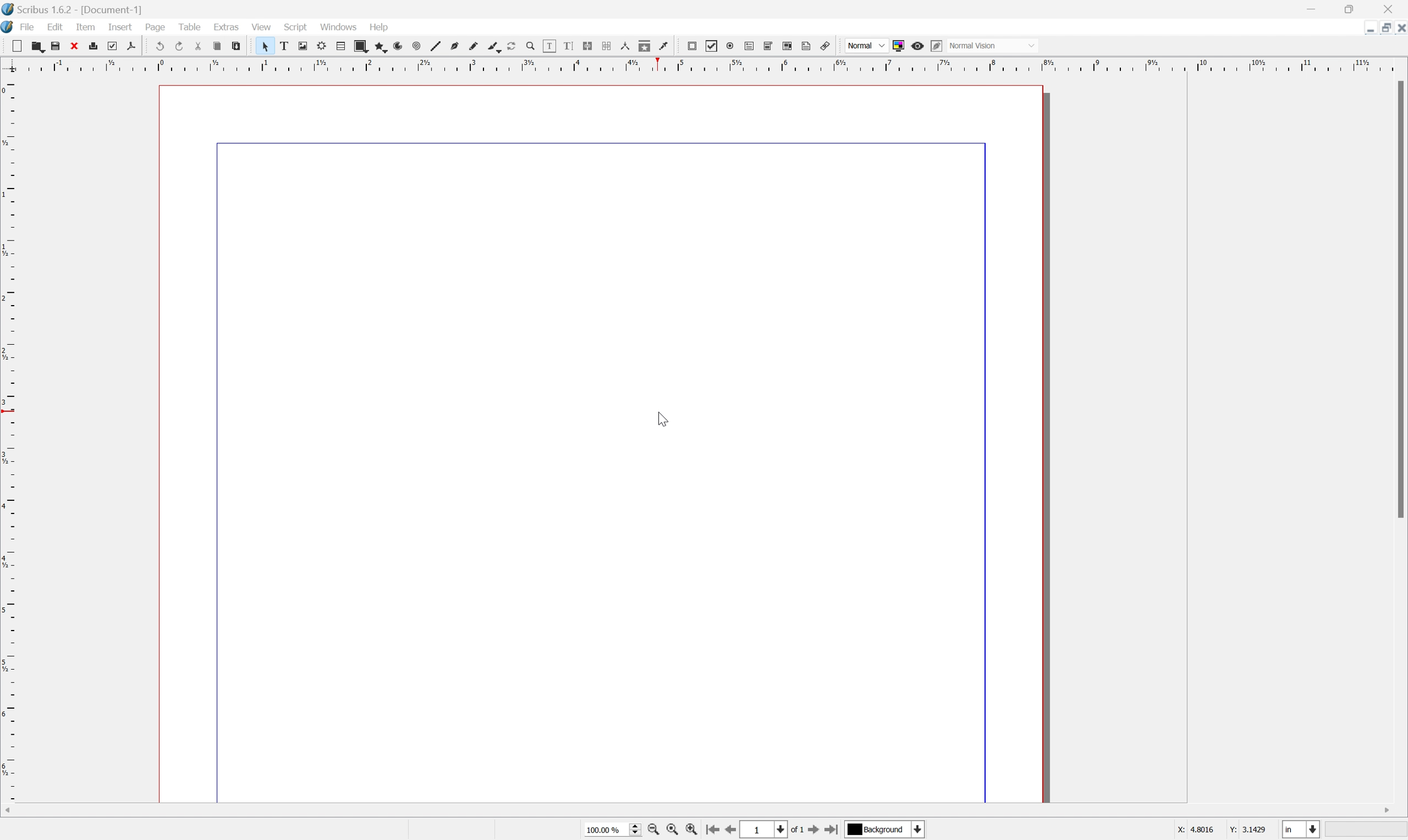 The width and height of the screenshot is (1408, 840). Describe the element at coordinates (1350, 7) in the screenshot. I see `restore down` at that location.